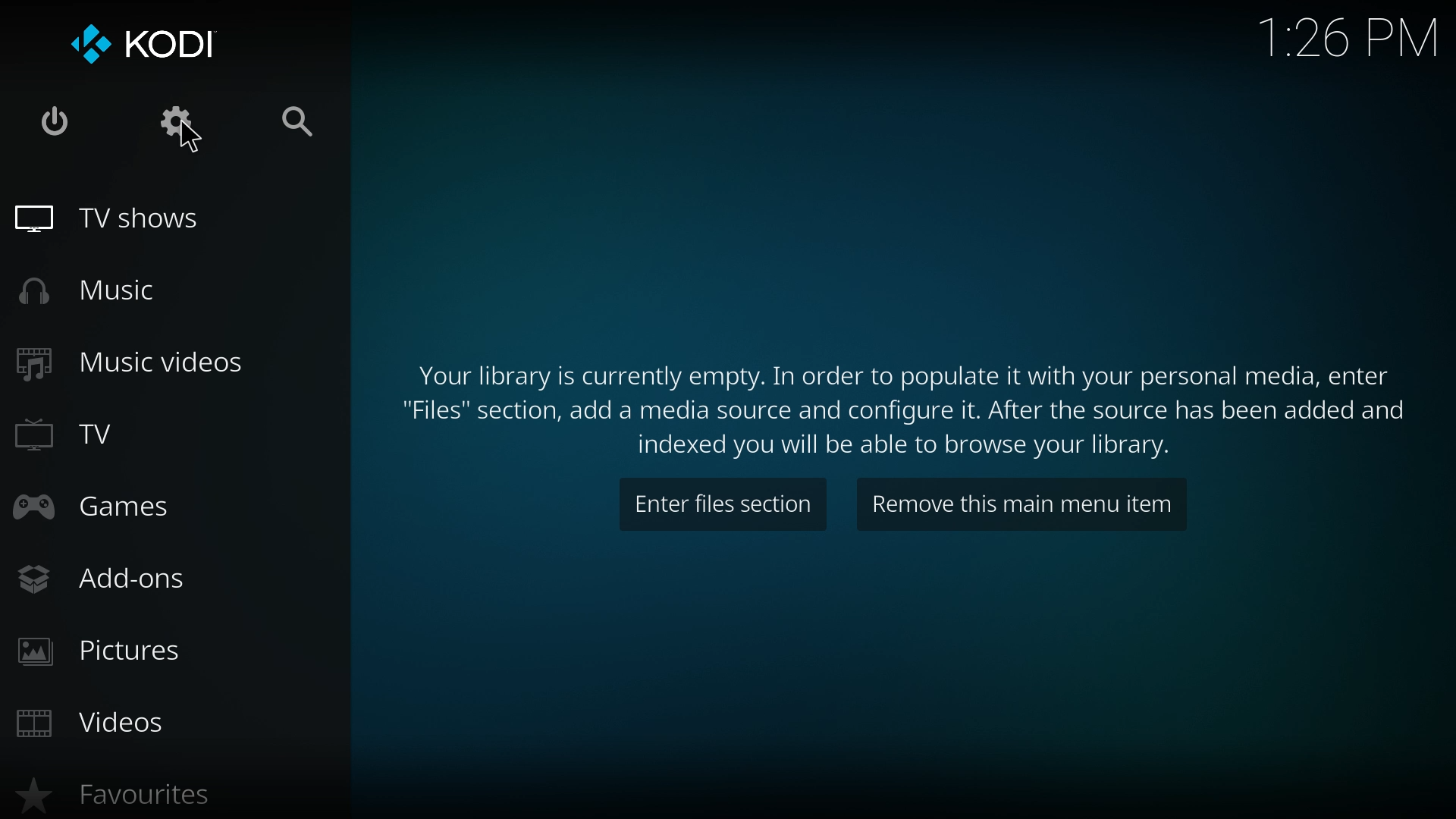  I want to click on tv shows, so click(155, 219).